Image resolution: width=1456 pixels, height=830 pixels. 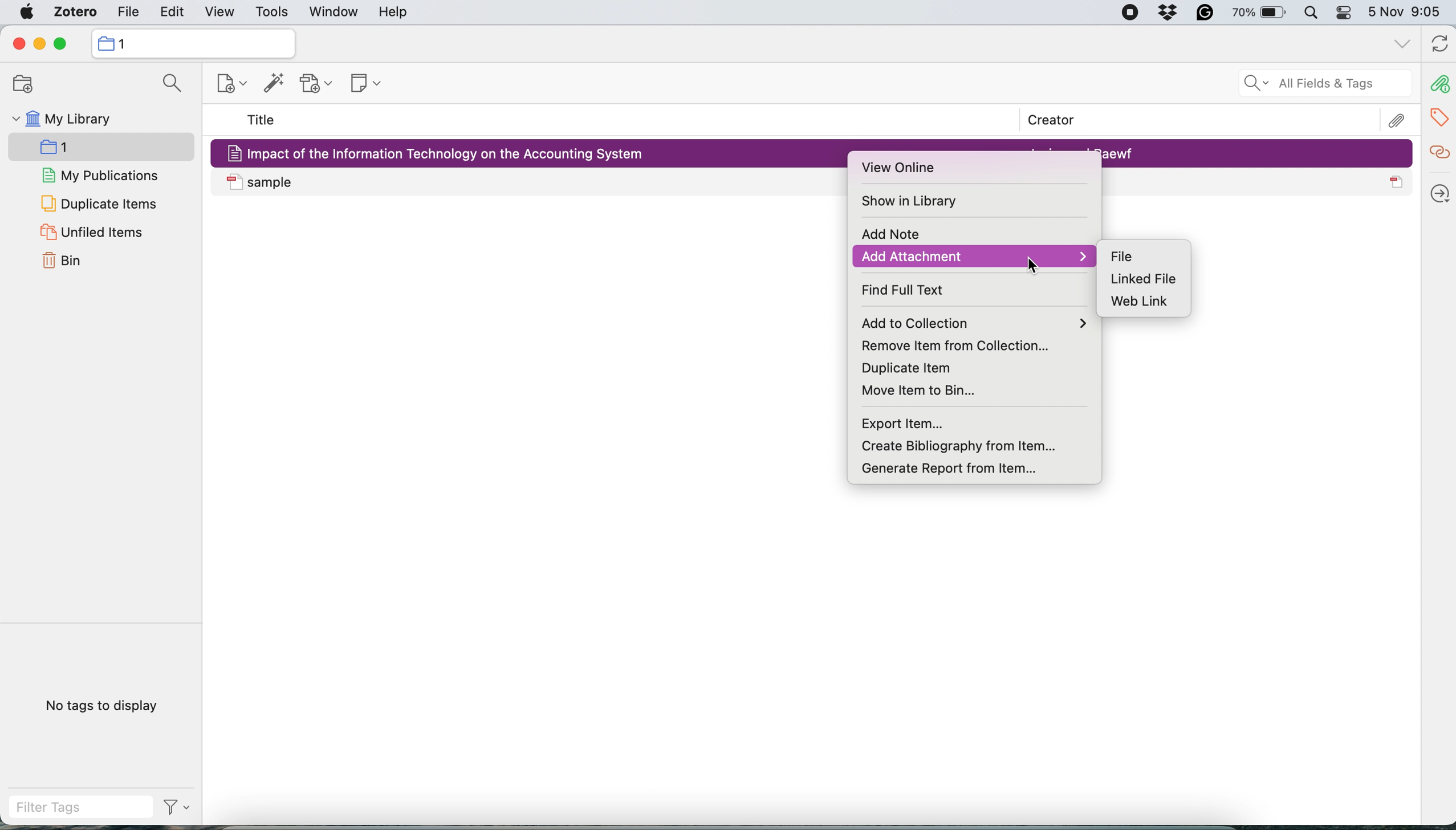 I want to click on searcg, so click(x=168, y=86).